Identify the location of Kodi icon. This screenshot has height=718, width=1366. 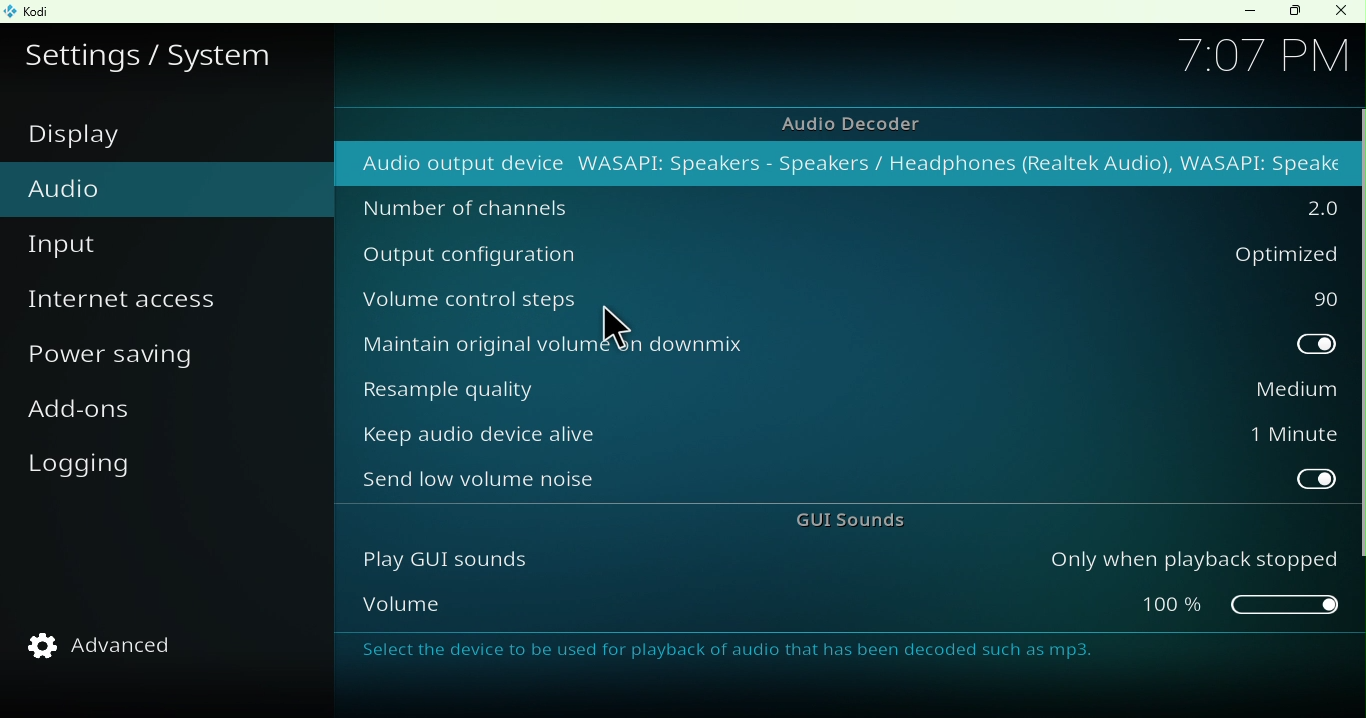
(32, 11).